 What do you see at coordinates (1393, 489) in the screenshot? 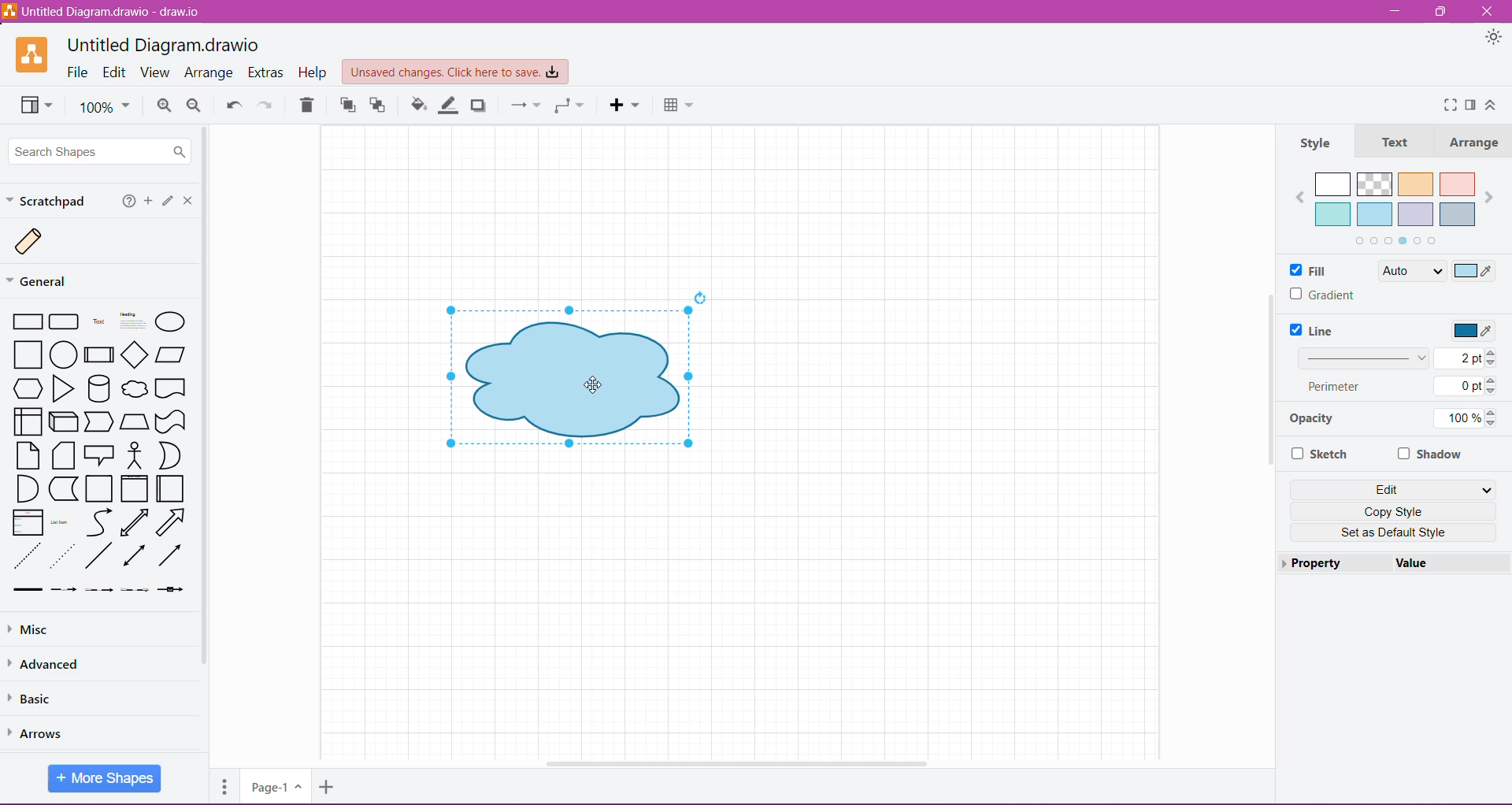
I see `Edit` at bounding box center [1393, 489].